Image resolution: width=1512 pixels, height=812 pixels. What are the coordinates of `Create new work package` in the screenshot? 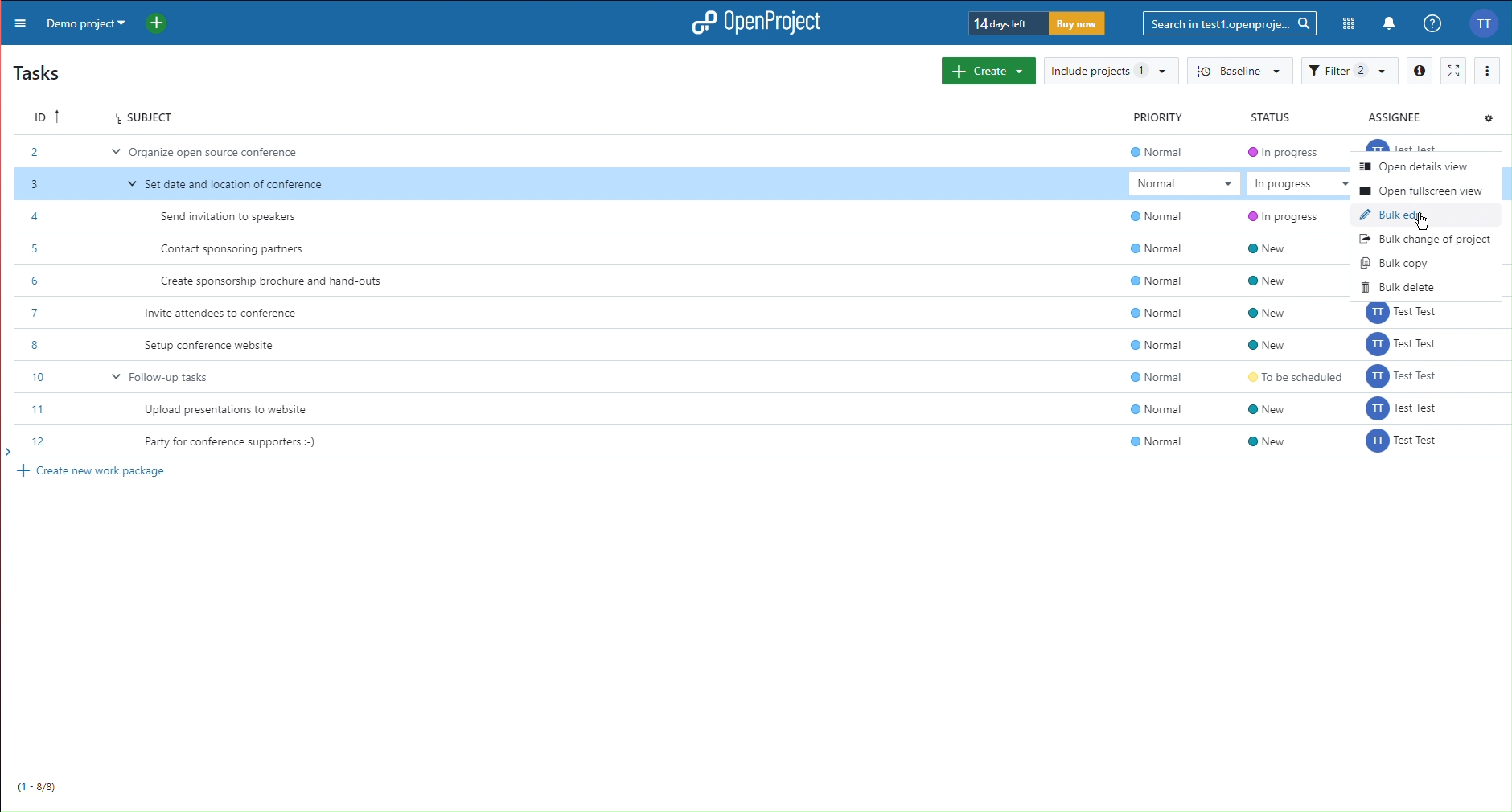 It's located at (96, 472).